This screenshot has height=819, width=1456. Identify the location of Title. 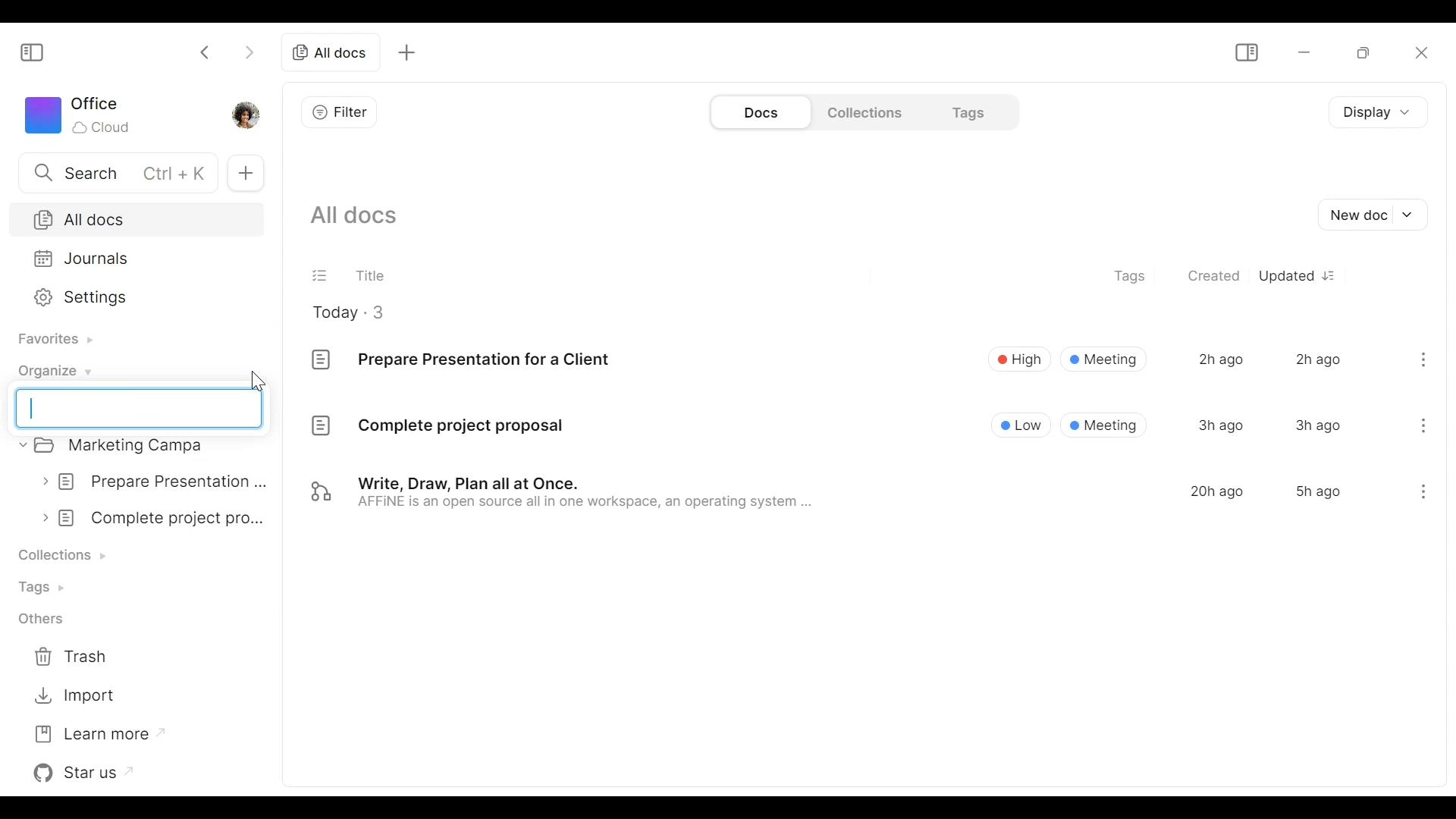
(371, 272).